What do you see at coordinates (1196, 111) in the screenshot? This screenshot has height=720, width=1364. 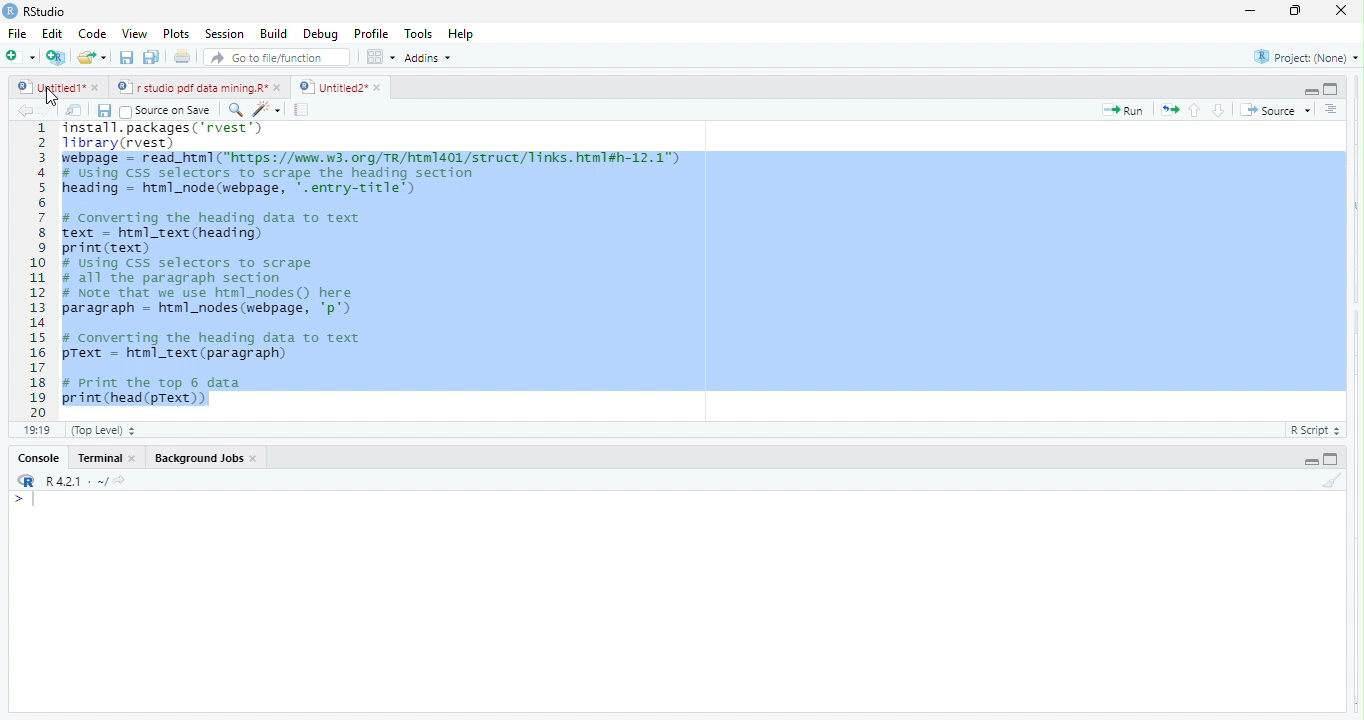 I see `go to previous section/chunk` at bounding box center [1196, 111].